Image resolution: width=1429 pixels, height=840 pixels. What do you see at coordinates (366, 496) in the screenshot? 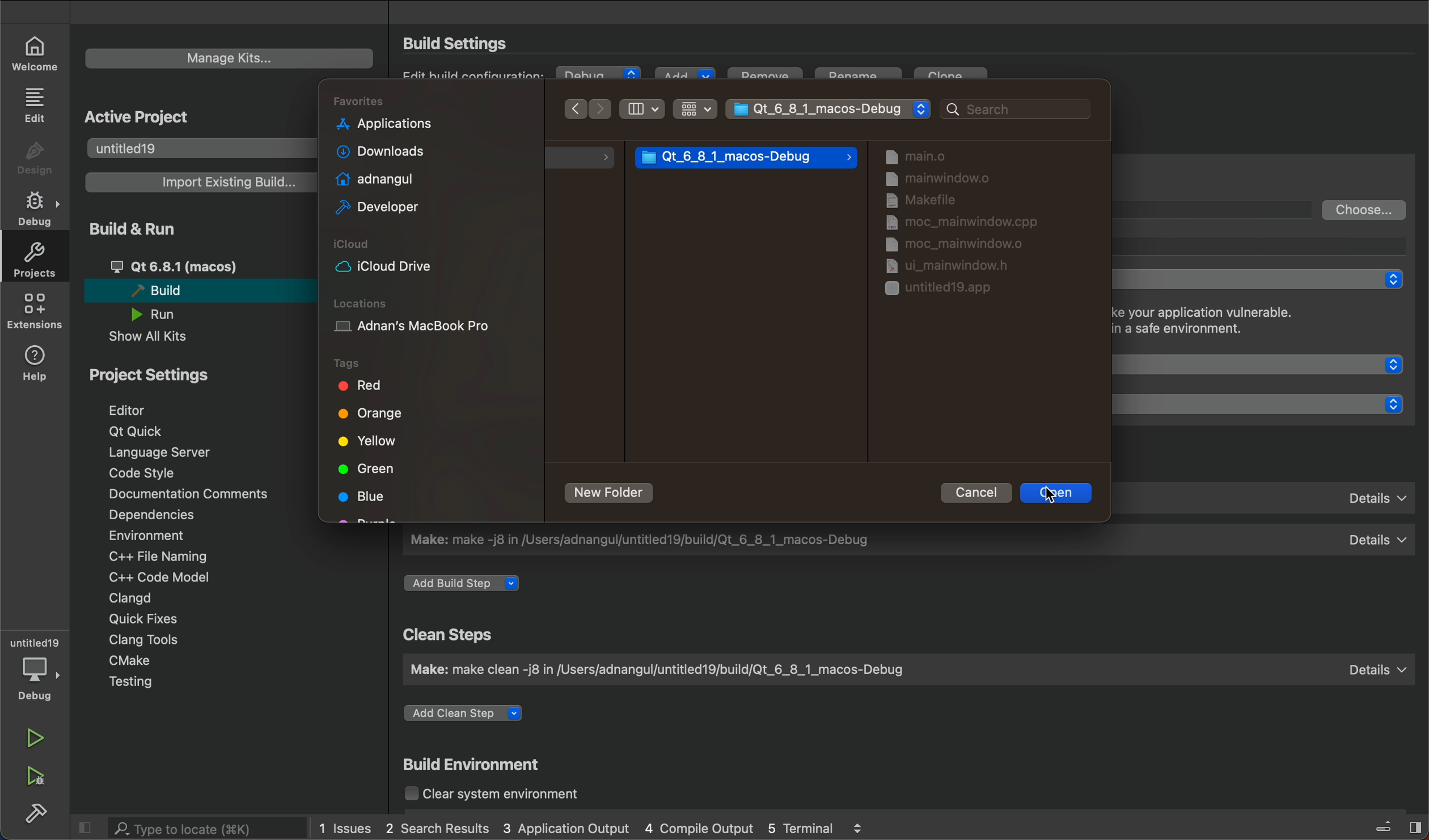
I see `blue` at bounding box center [366, 496].